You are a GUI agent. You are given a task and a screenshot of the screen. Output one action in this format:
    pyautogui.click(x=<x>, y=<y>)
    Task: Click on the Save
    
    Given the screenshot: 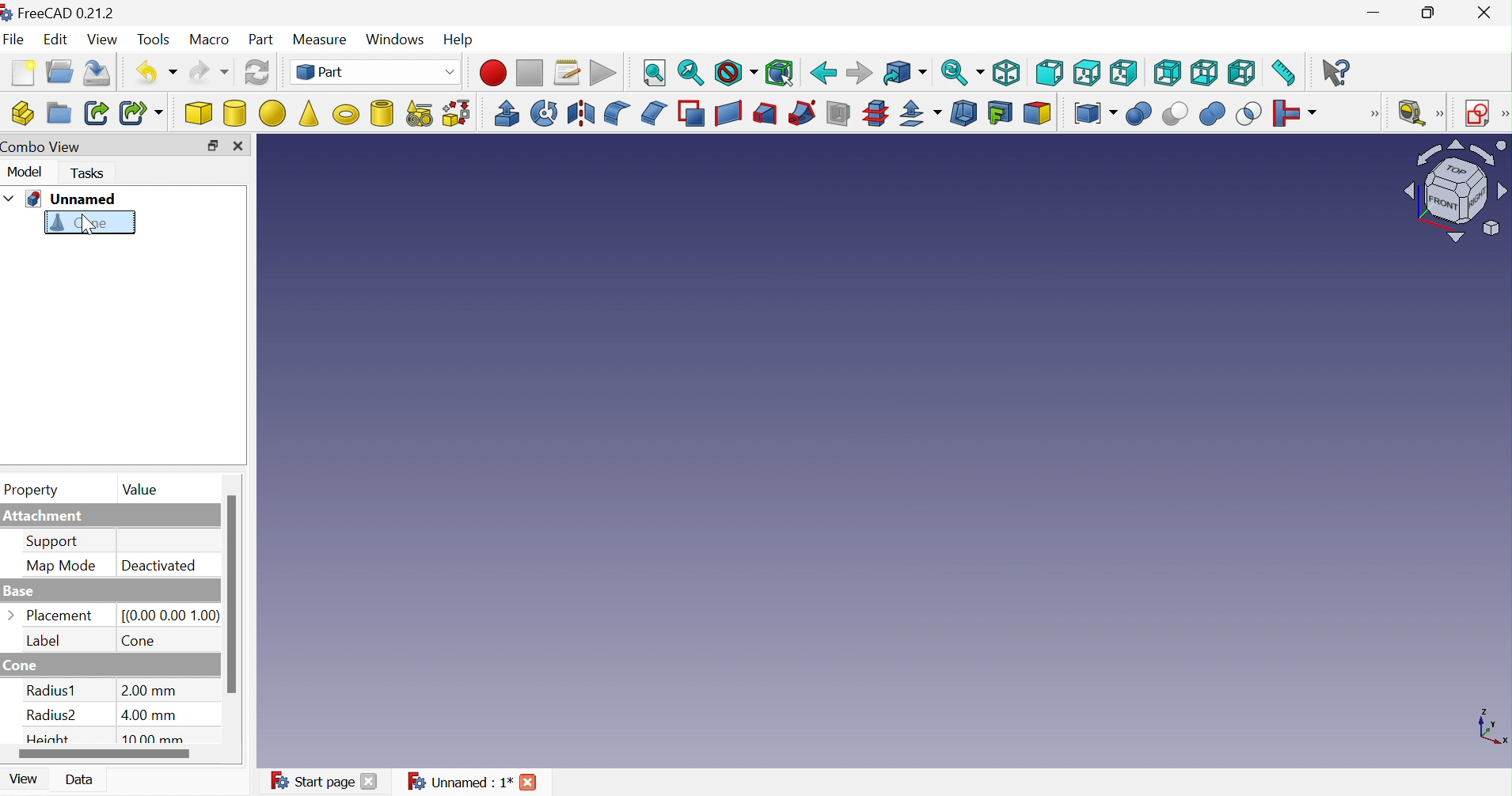 What is the action you would take?
    pyautogui.click(x=101, y=72)
    